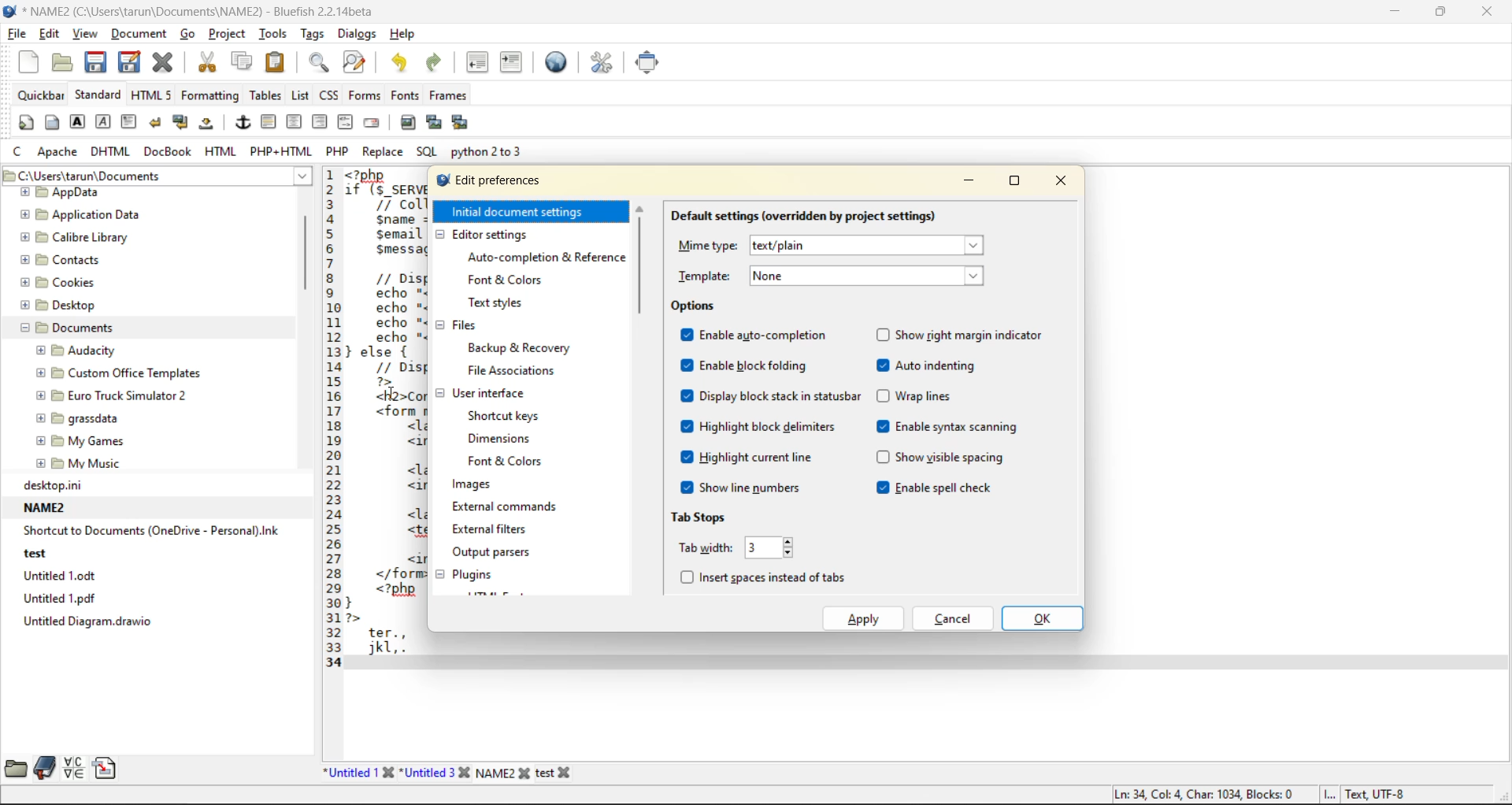 The width and height of the screenshot is (1512, 805). Describe the element at coordinates (709, 518) in the screenshot. I see `tab stops` at that location.